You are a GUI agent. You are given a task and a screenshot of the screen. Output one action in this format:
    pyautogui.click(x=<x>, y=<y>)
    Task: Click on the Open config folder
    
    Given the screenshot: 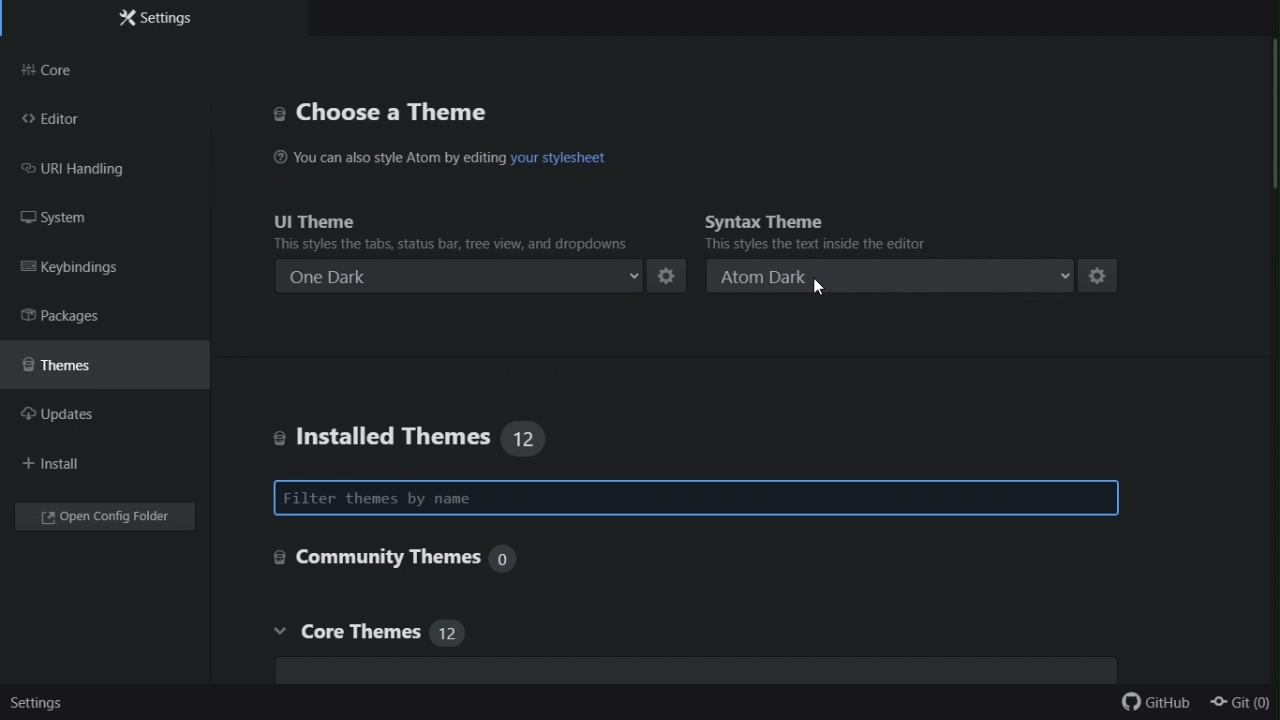 What is the action you would take?
    pyautogui.click(x=103, y=515)
    